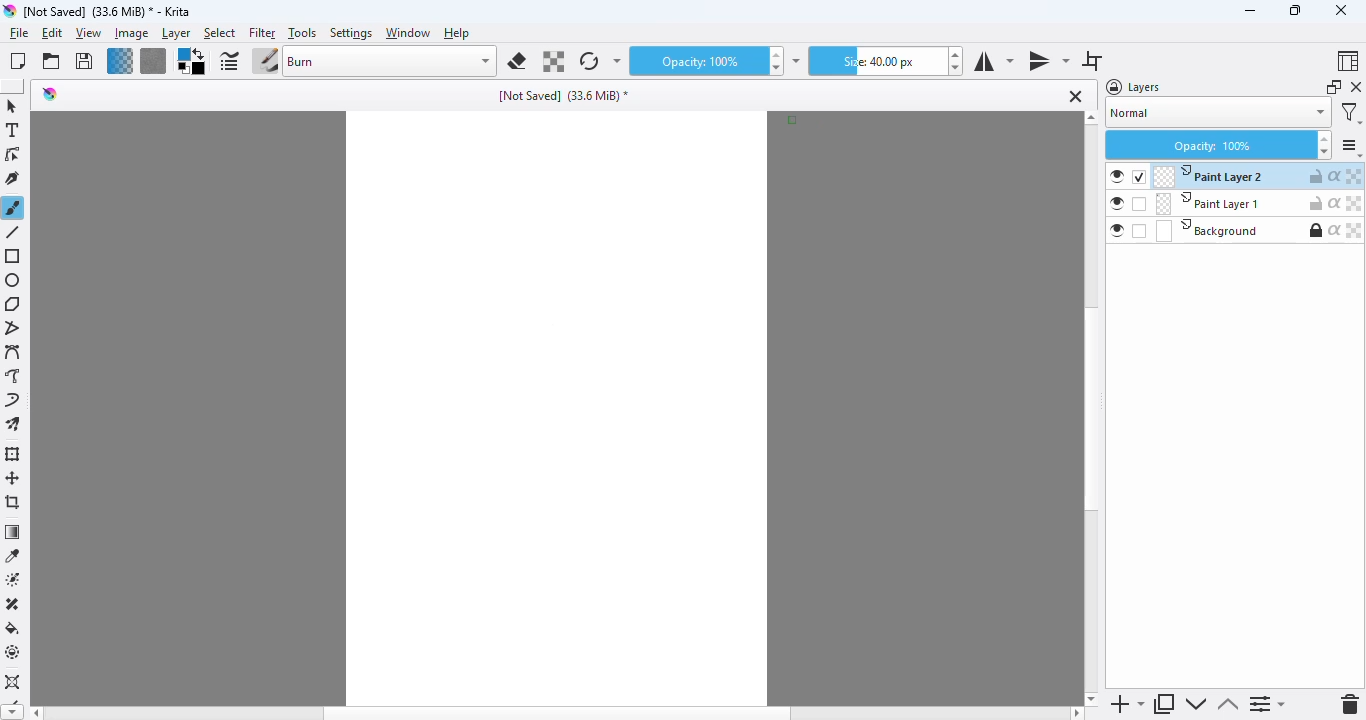  Describe the element at coordinates (301, 33) in the screenshot. I see `tools` at that location.